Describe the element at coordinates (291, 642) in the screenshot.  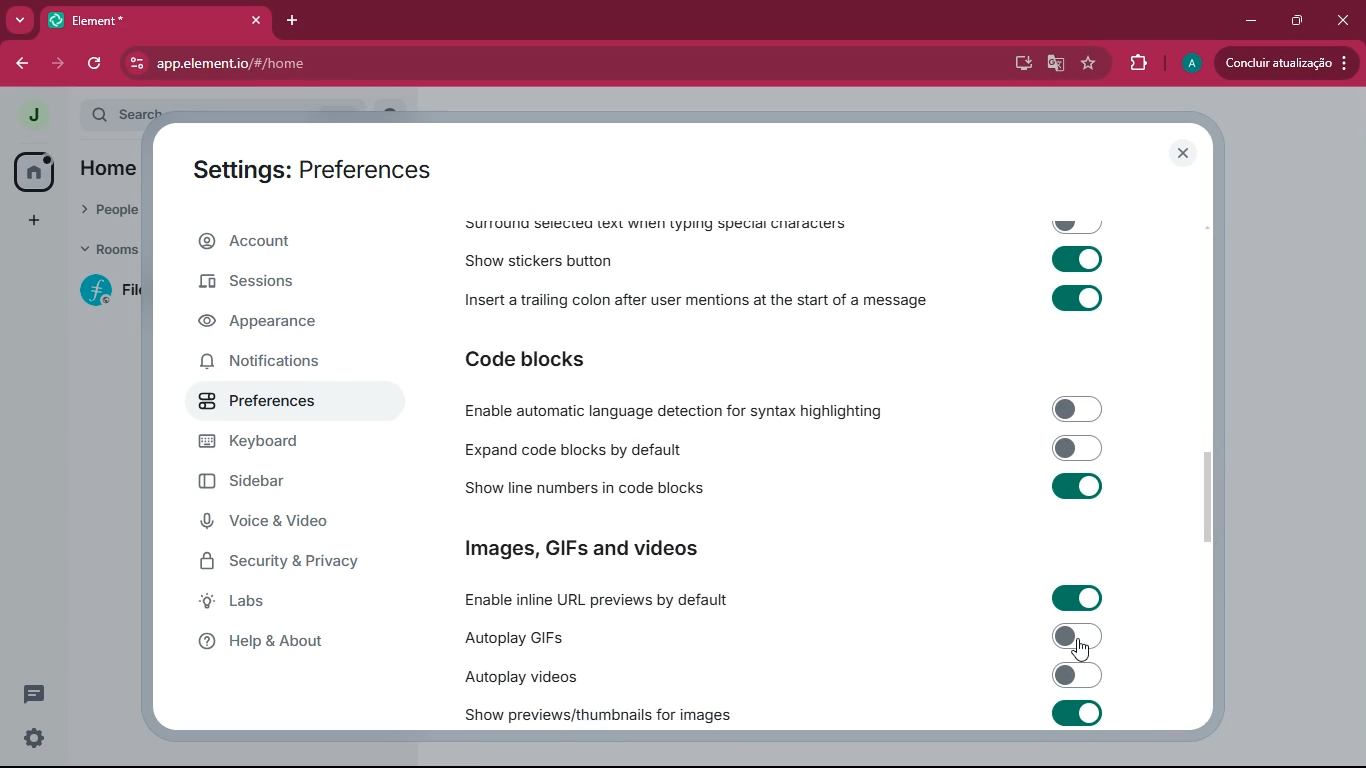
I see `help` at that location.